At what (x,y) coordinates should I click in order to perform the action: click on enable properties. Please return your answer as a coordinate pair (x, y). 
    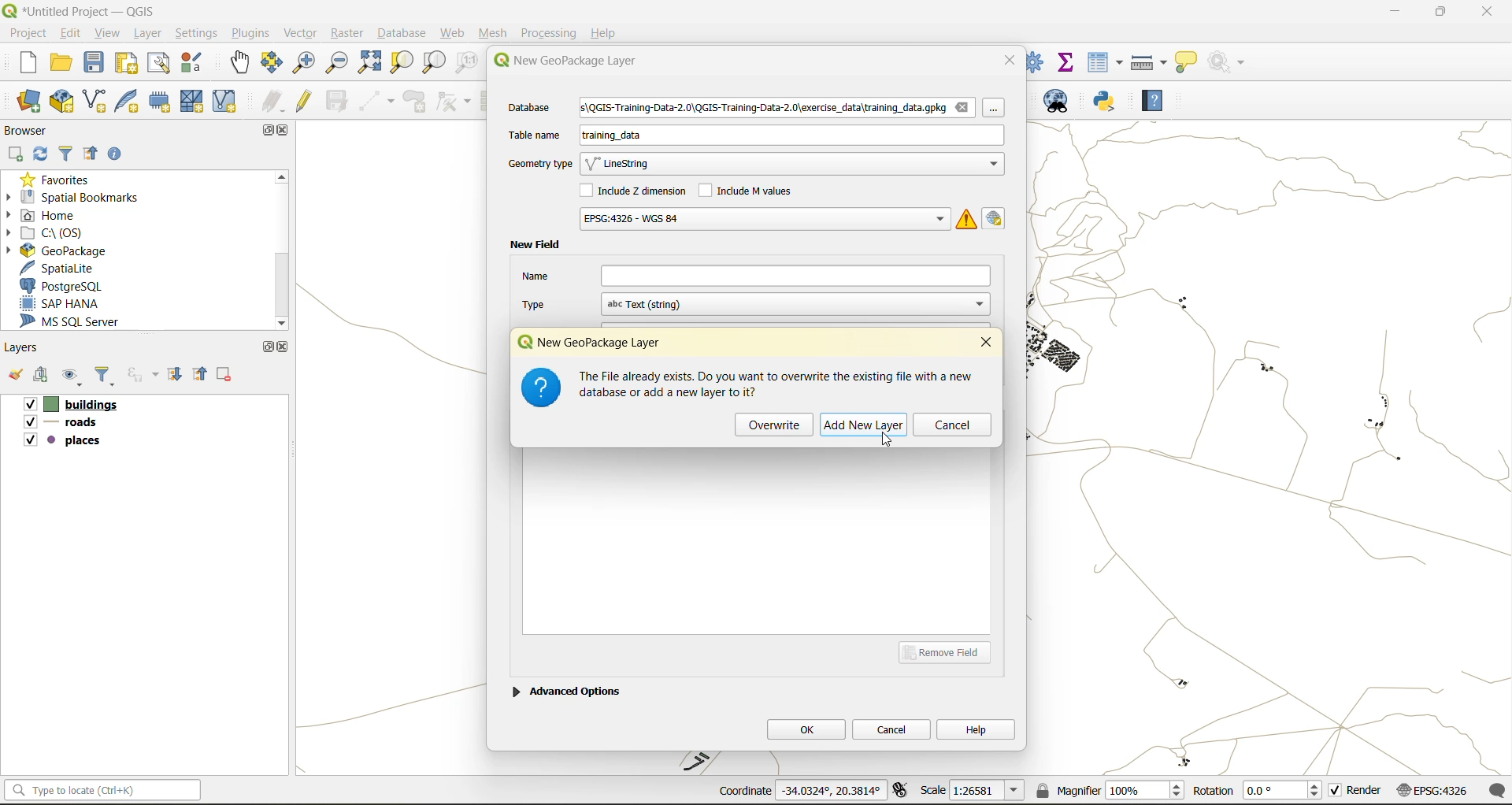
    Looking at the image, I should click on (119, 153).